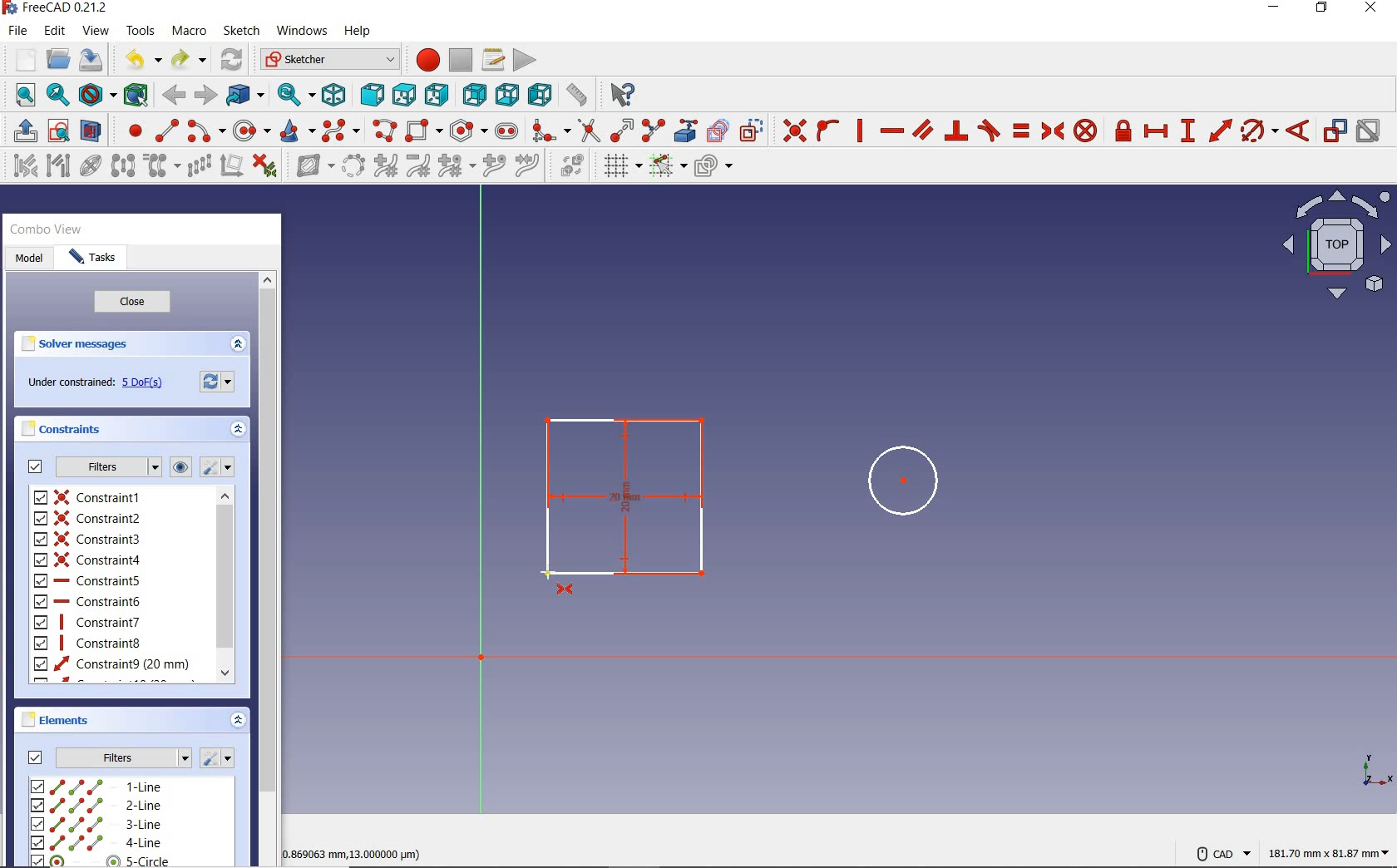 The height and width of the screenshot is (868, 1397). I want to click on constrain arc or circle, so click(1259, 131).